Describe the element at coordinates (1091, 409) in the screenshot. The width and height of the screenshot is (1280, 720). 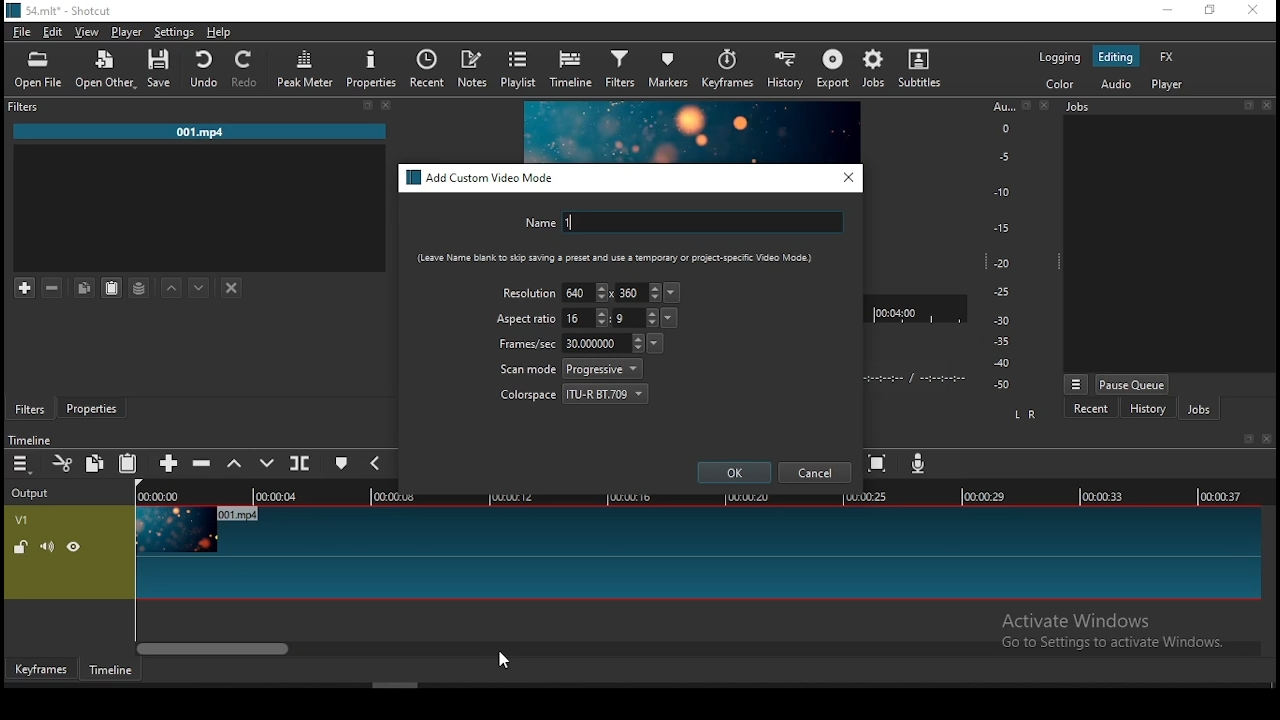
I see `recent` at that location.